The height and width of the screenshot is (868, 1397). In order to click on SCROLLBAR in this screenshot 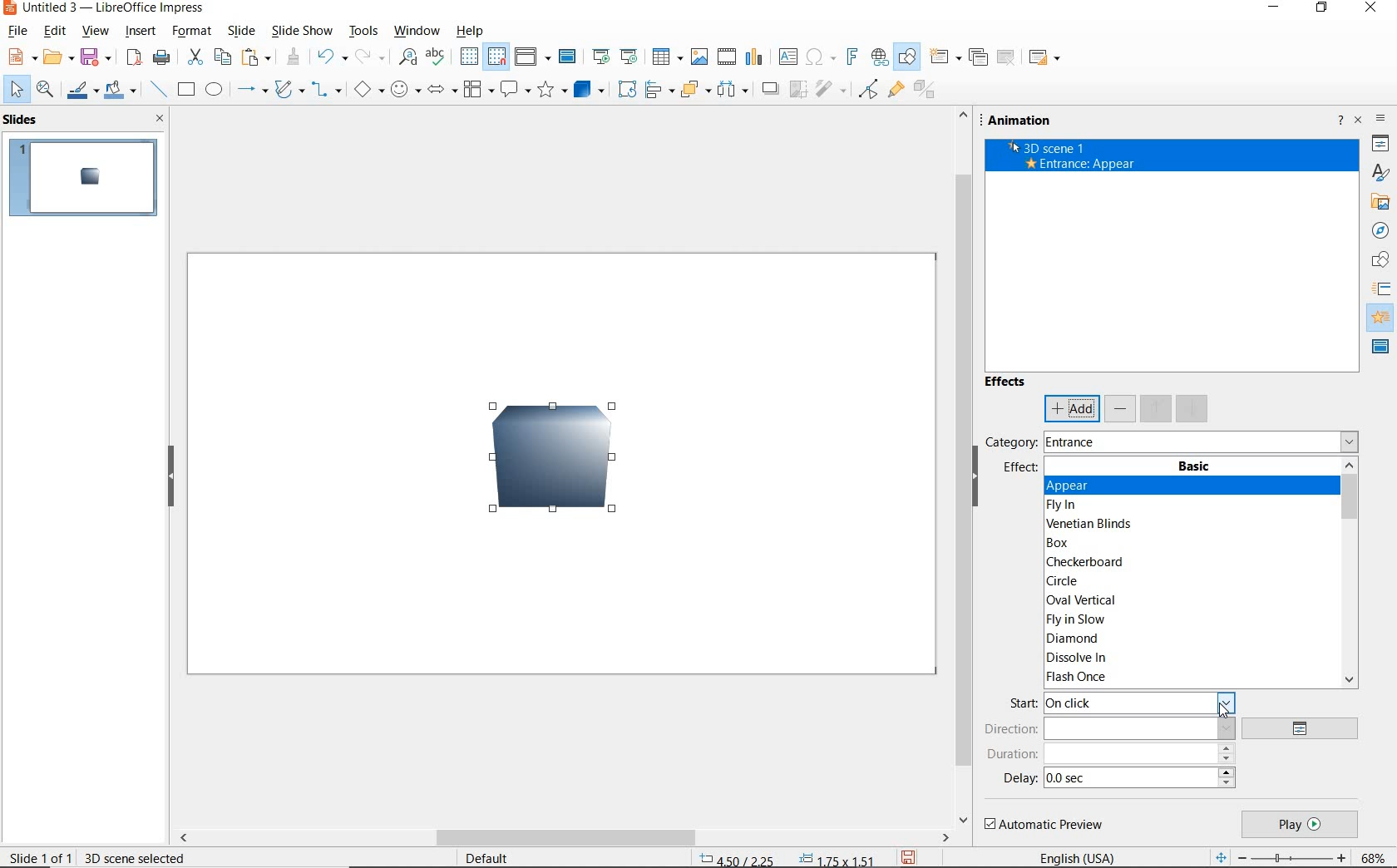, I will do `click(1349, 575)`.